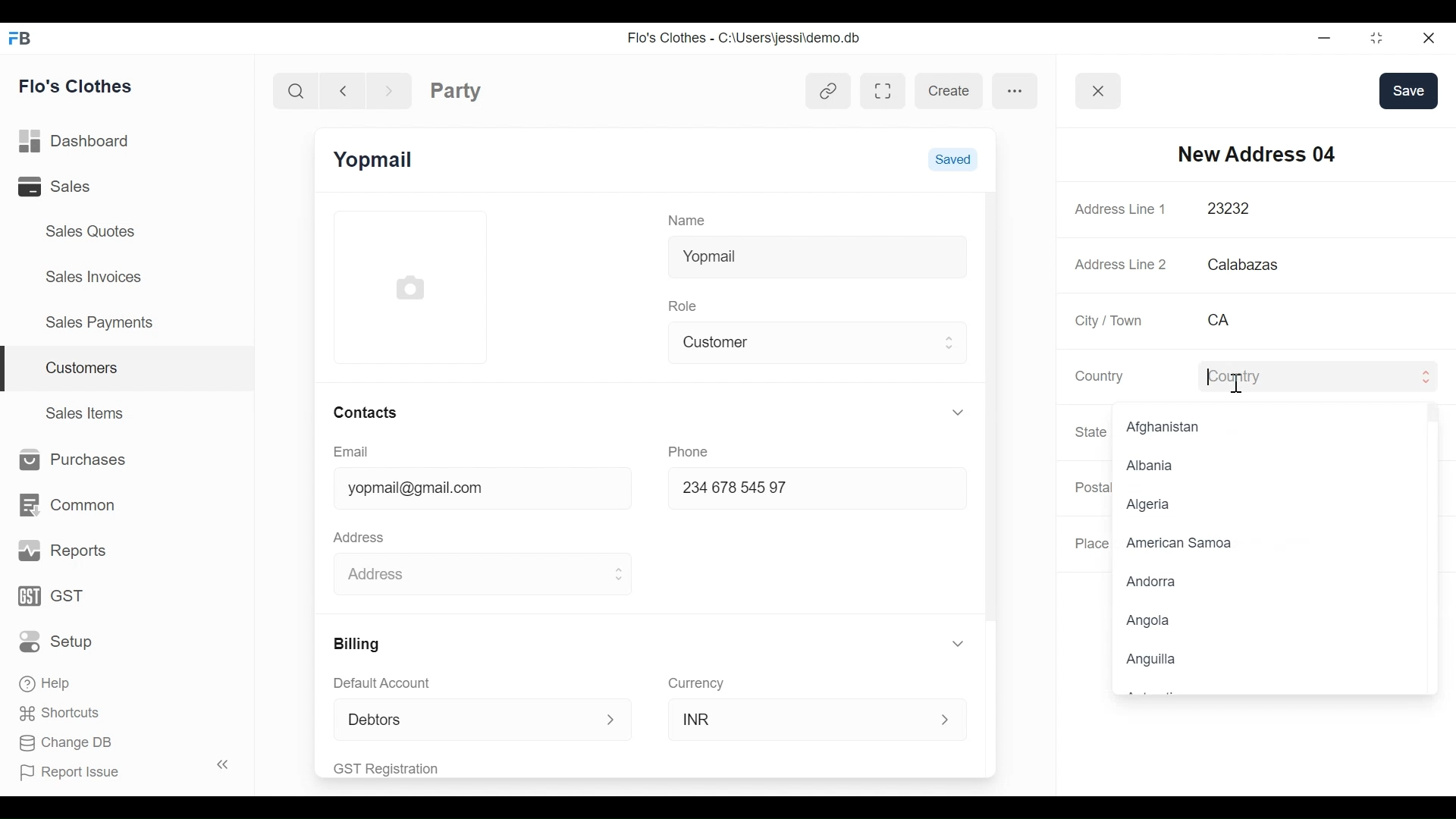 The height and width of the screenshot is (819, 1456). I want to click on Expand, so click(617, 575).